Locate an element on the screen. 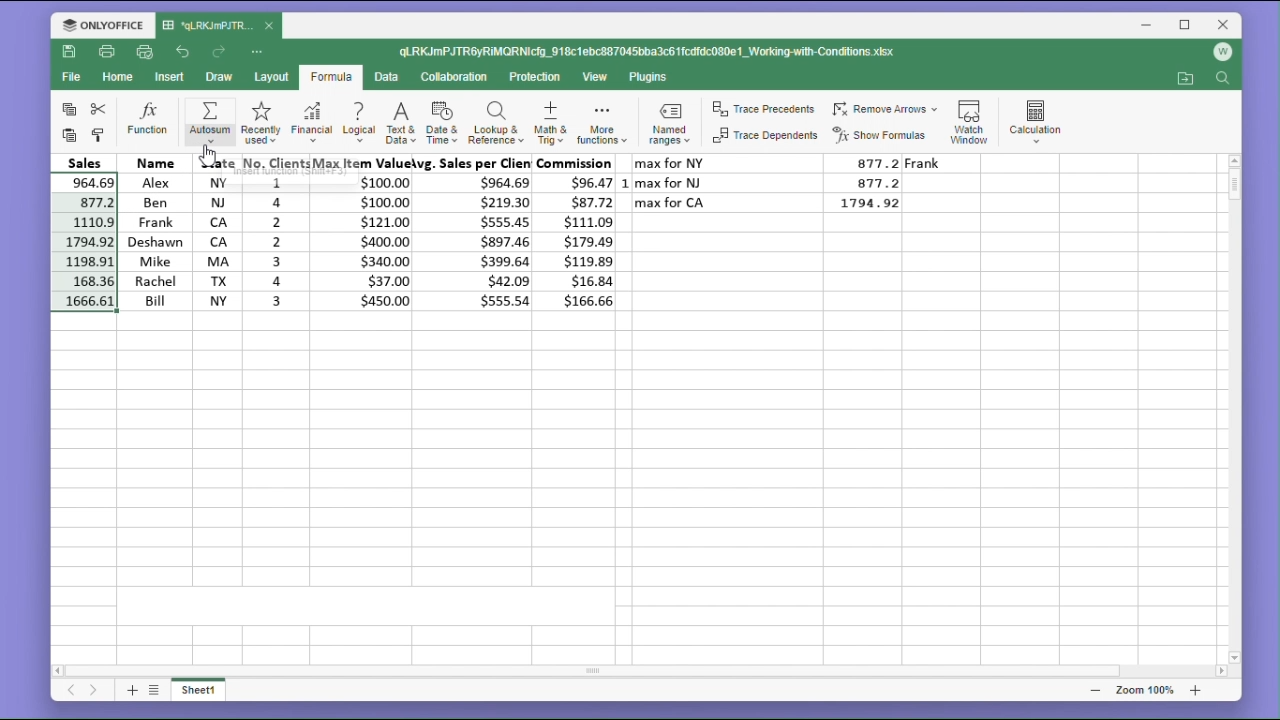 The height and width of the screenshot is (720, 1280). avg.sales per clients is located at coordinates (477, 235).